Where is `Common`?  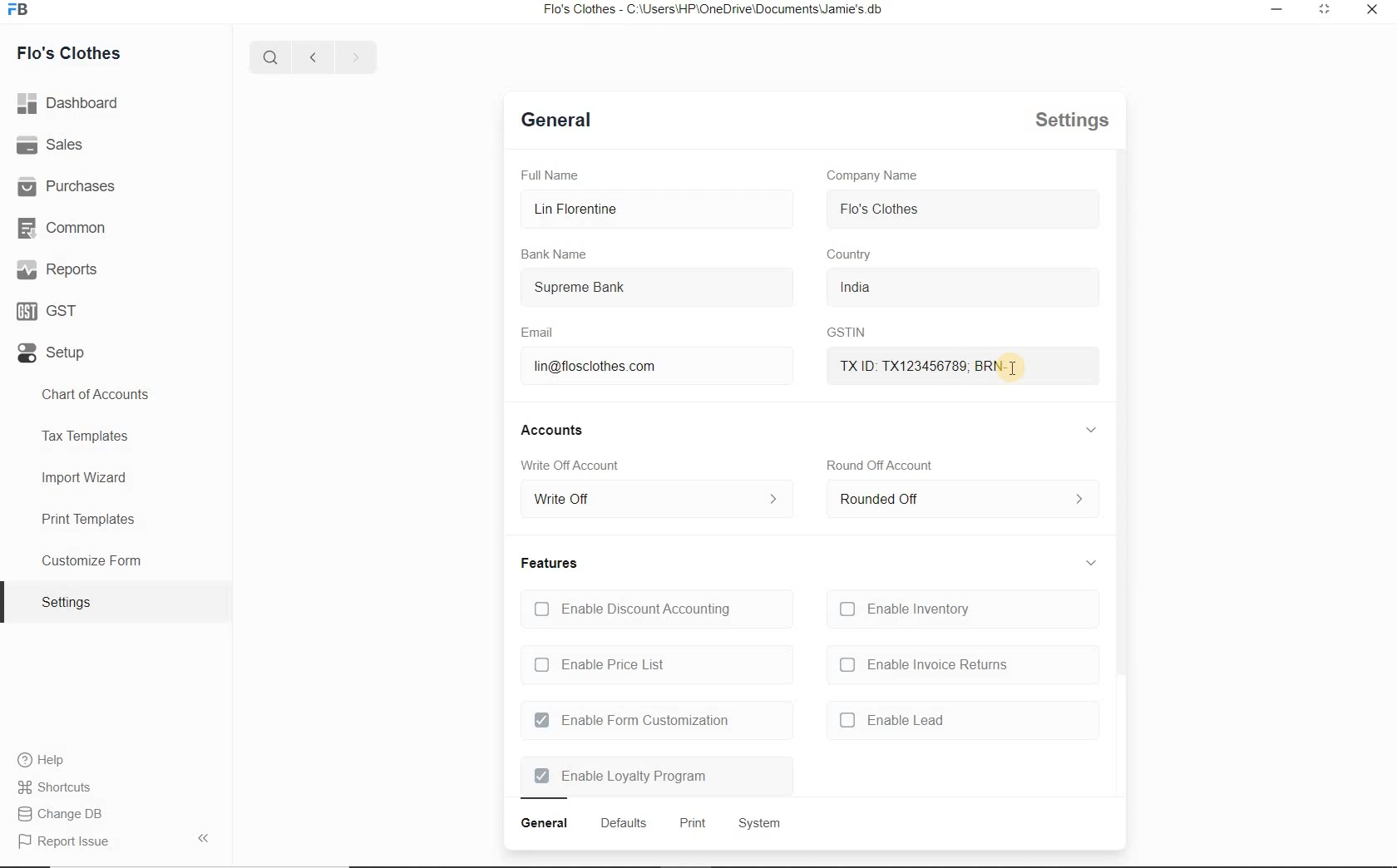 Common is located at coordinates (66, 229).